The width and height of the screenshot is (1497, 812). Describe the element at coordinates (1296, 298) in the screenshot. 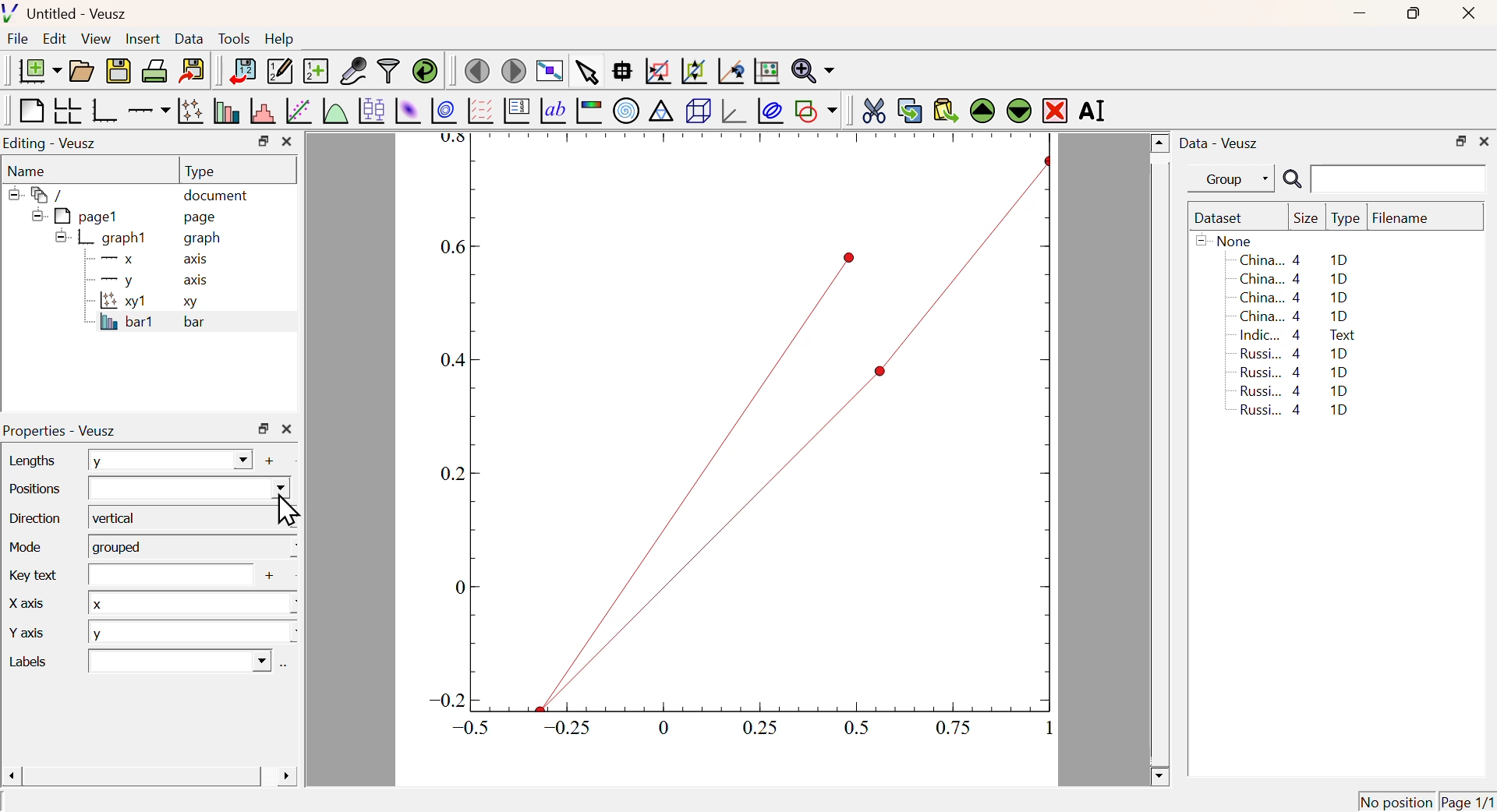

I see `China... 4 1D` at that location.